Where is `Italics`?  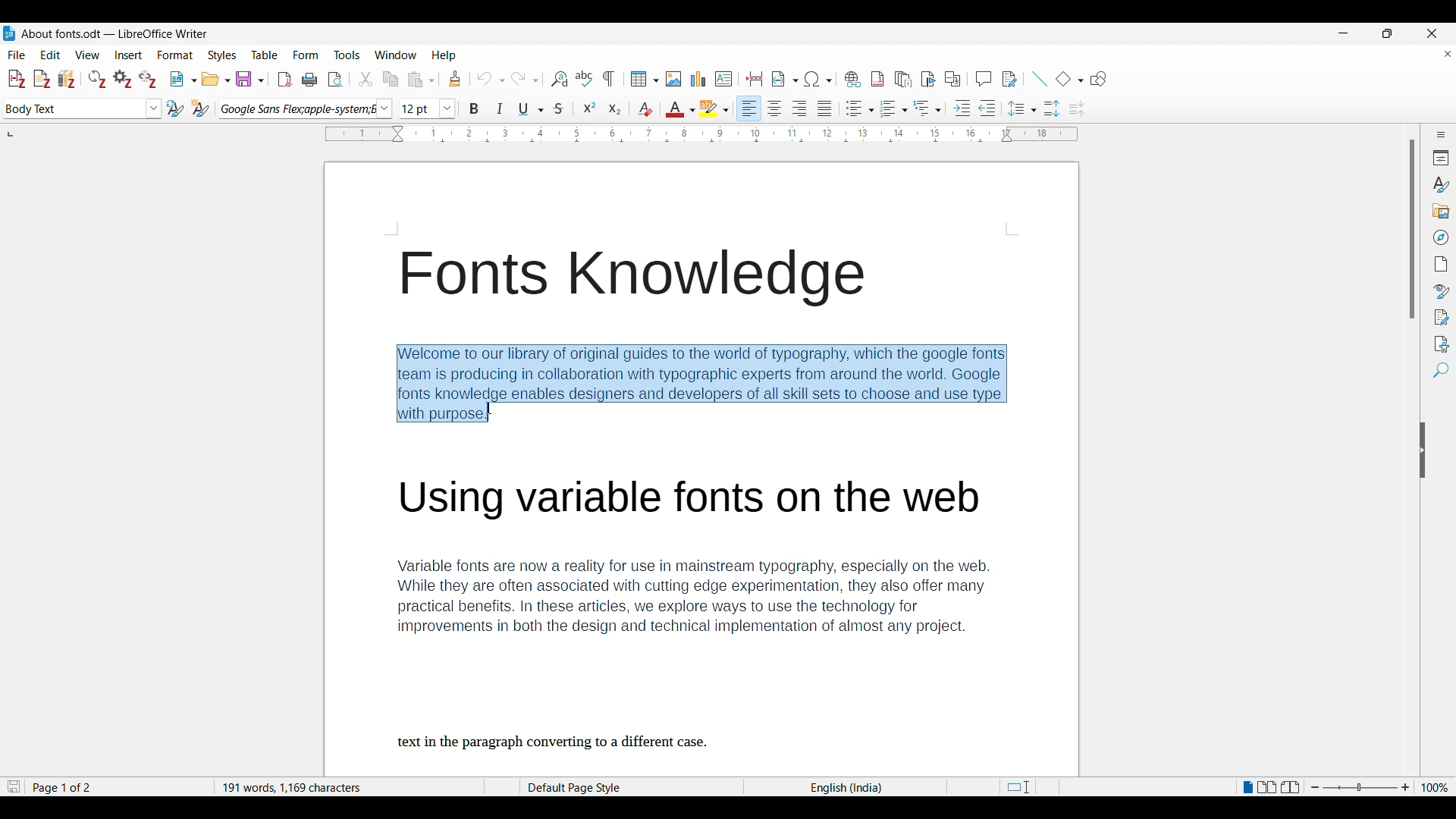 Italics is located at coordinates (499, 108).